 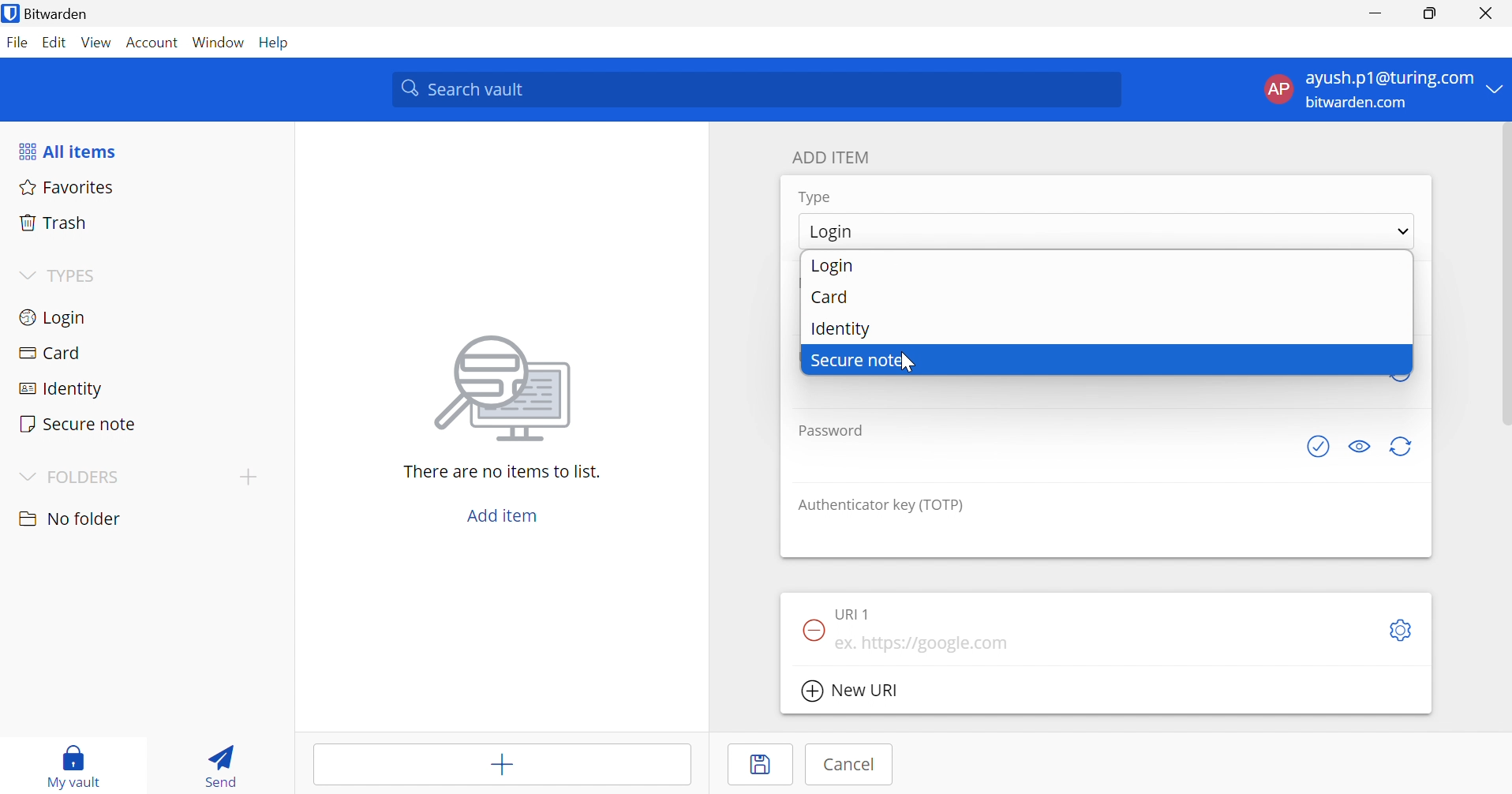 What do you see at coordinates (73, 519) in the screenshot?
I see `No folder` at bounding box center [73, 519].